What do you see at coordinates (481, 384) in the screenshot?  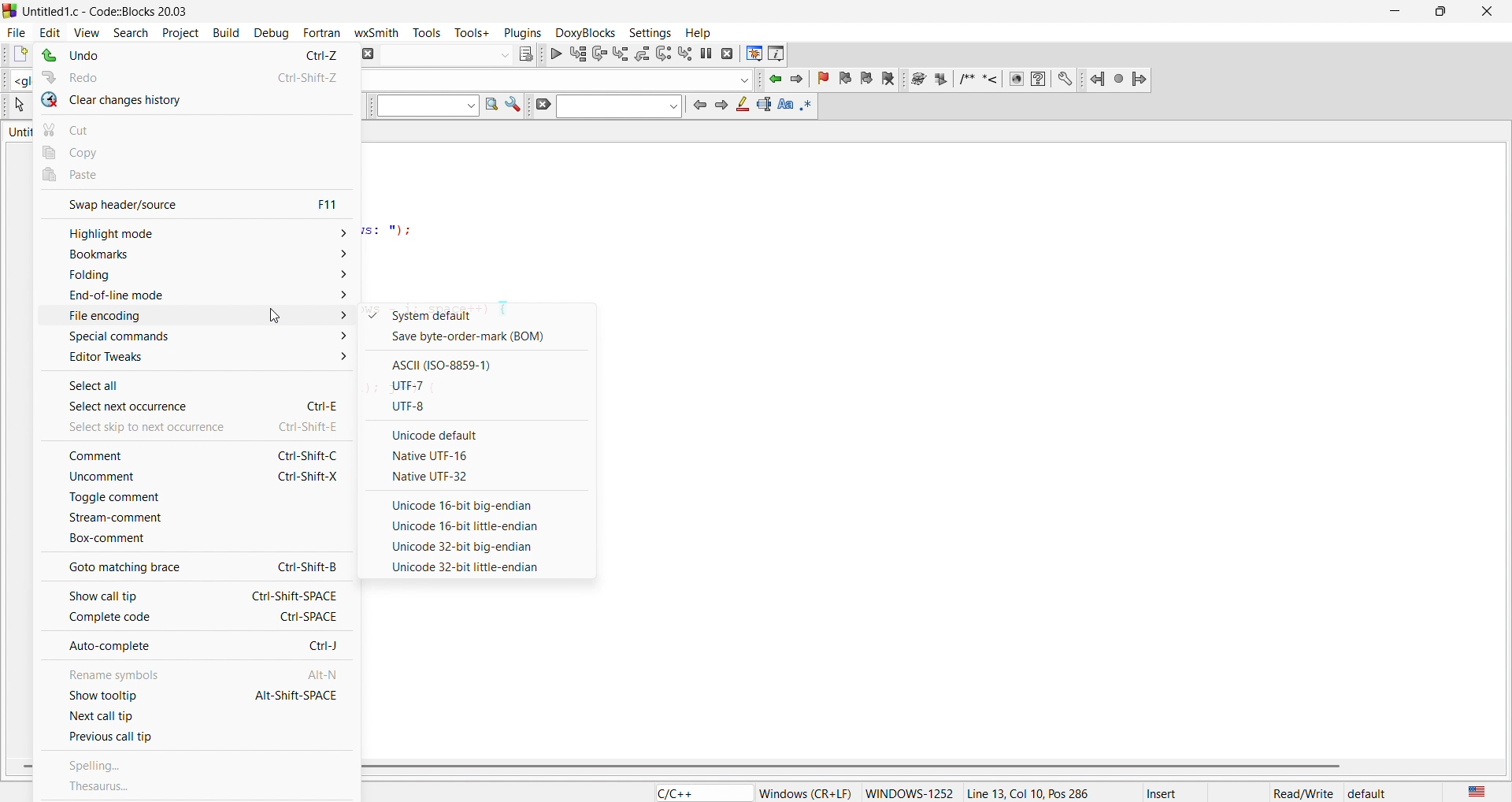 I see `UTF-7` at bounding box center [481, 384].